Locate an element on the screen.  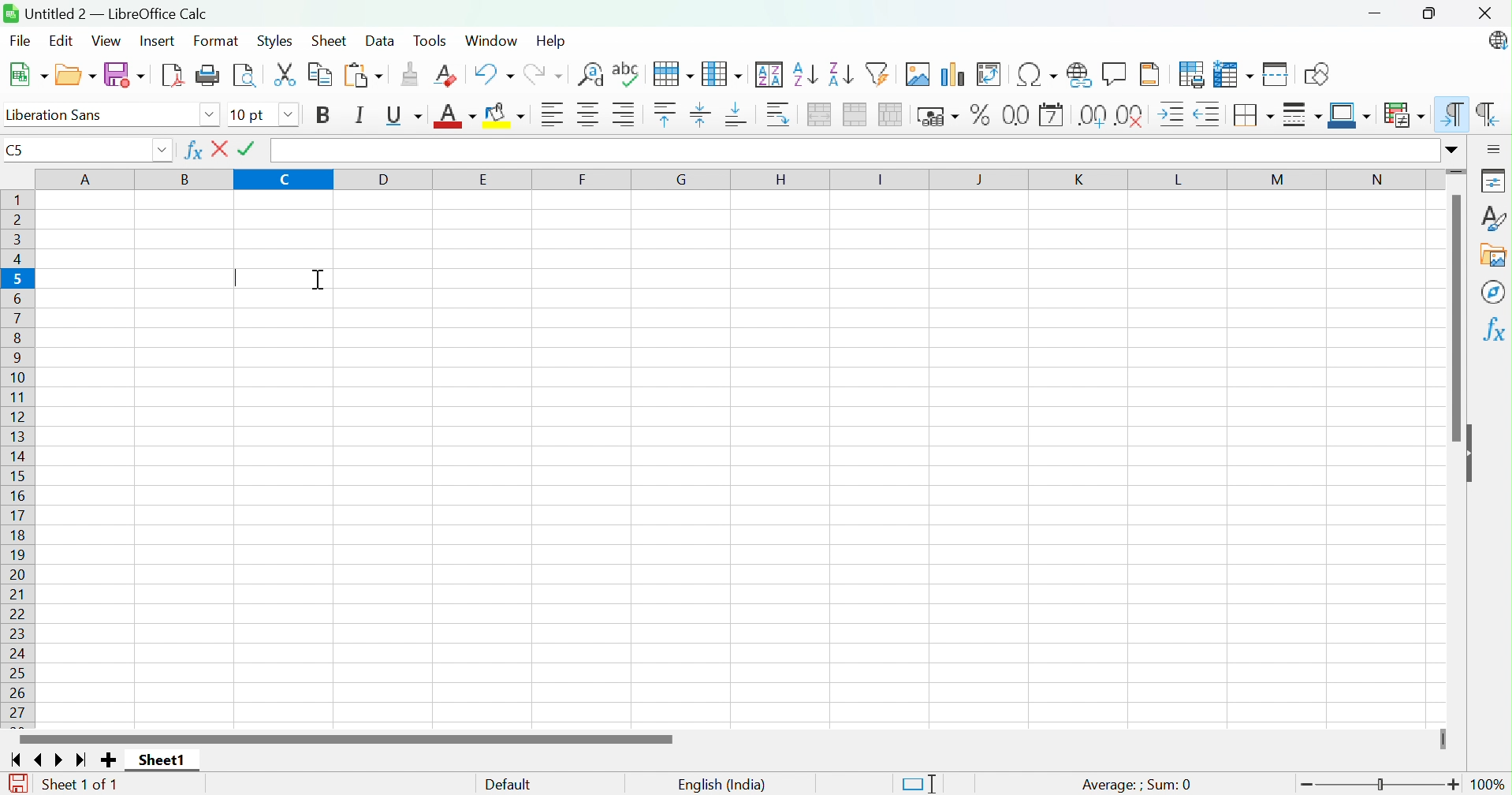
View is located at coordinates (109, 41).